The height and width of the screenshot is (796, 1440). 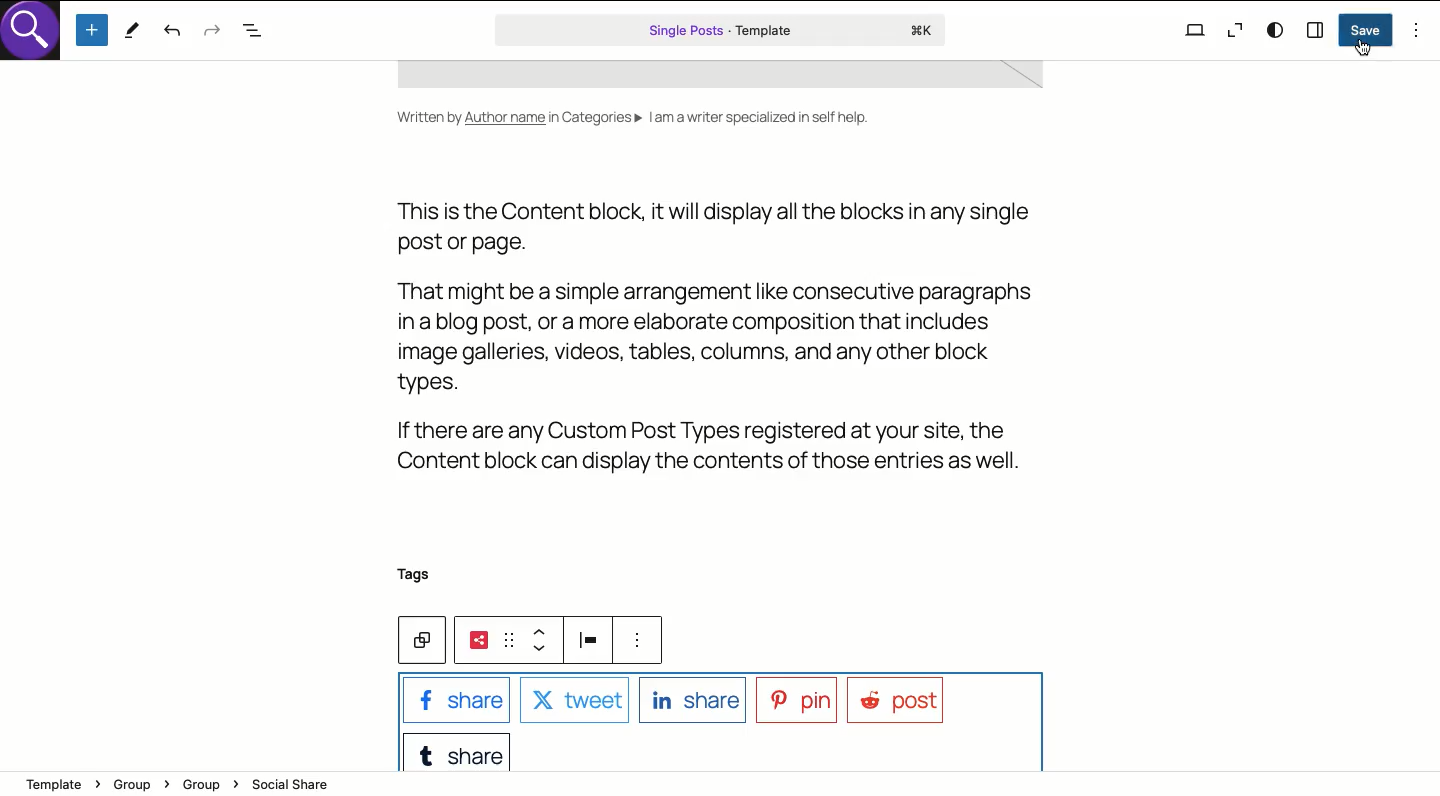 What do you see at coordinates (1417, 30) in the screenshot?
I see `Options` at bounding box center [1417, 30].